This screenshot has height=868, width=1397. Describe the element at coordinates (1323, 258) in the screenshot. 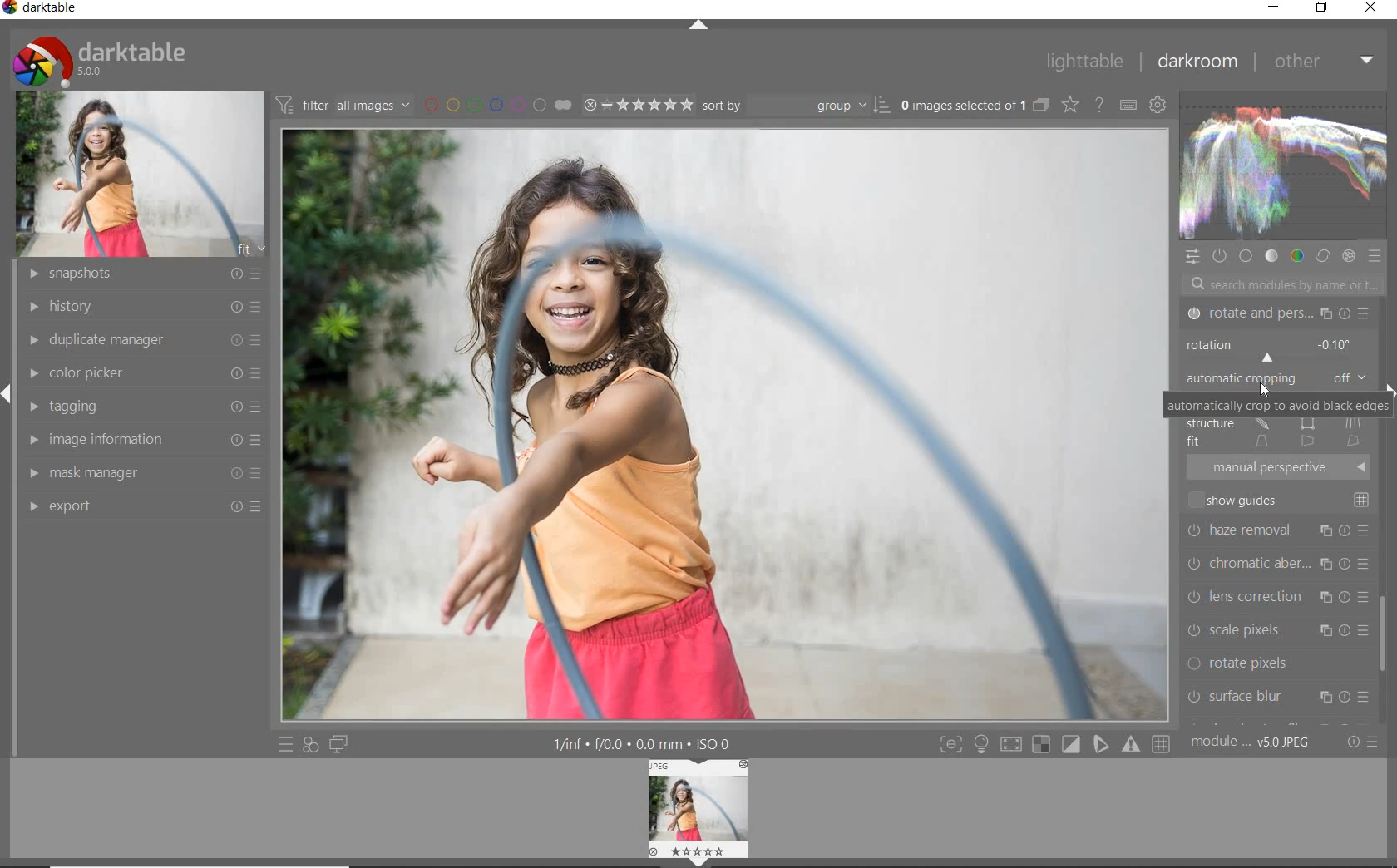

I see `correct` at that location.